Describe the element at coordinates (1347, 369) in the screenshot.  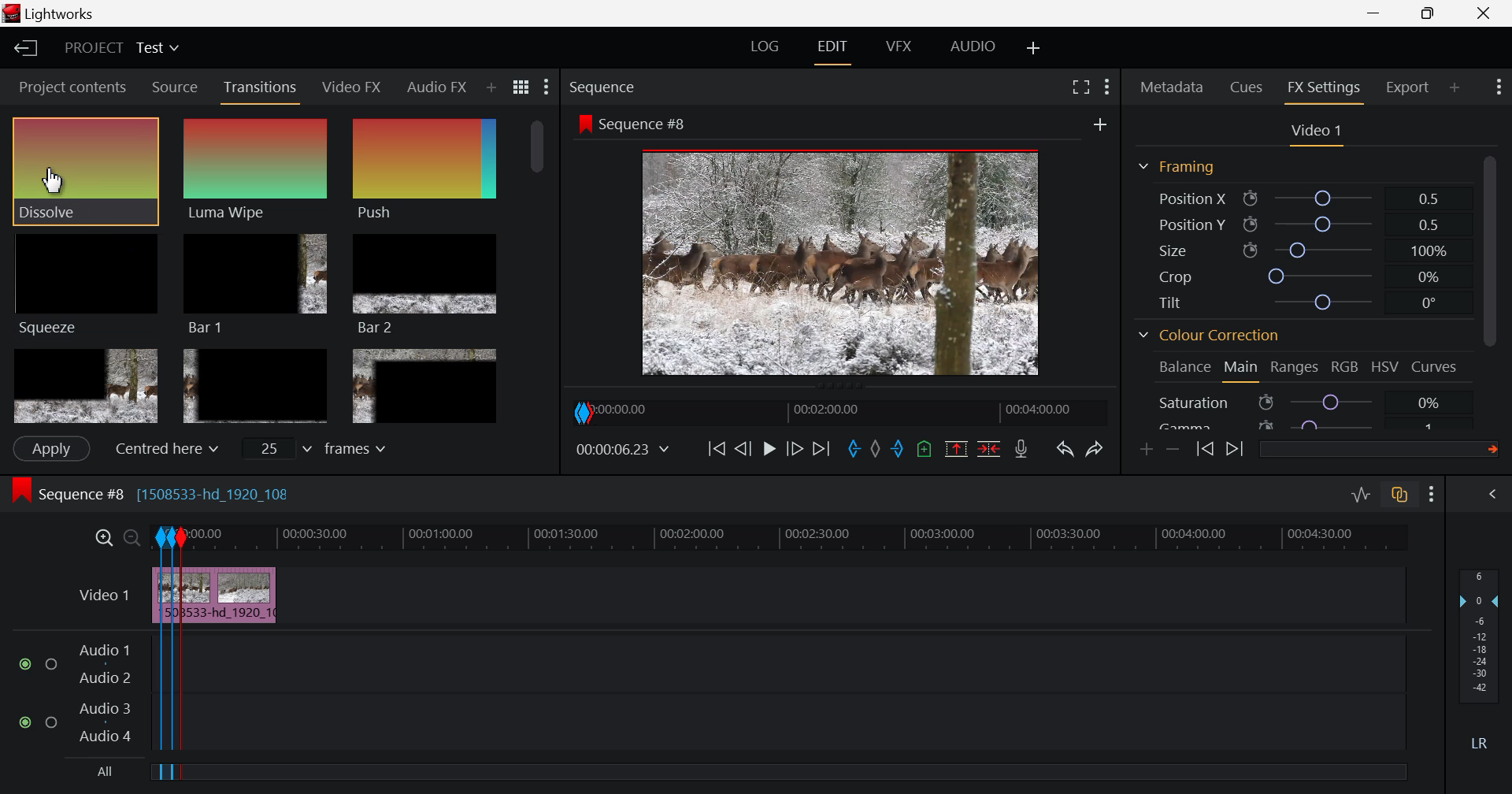
I see `RGB Tab` at that location.